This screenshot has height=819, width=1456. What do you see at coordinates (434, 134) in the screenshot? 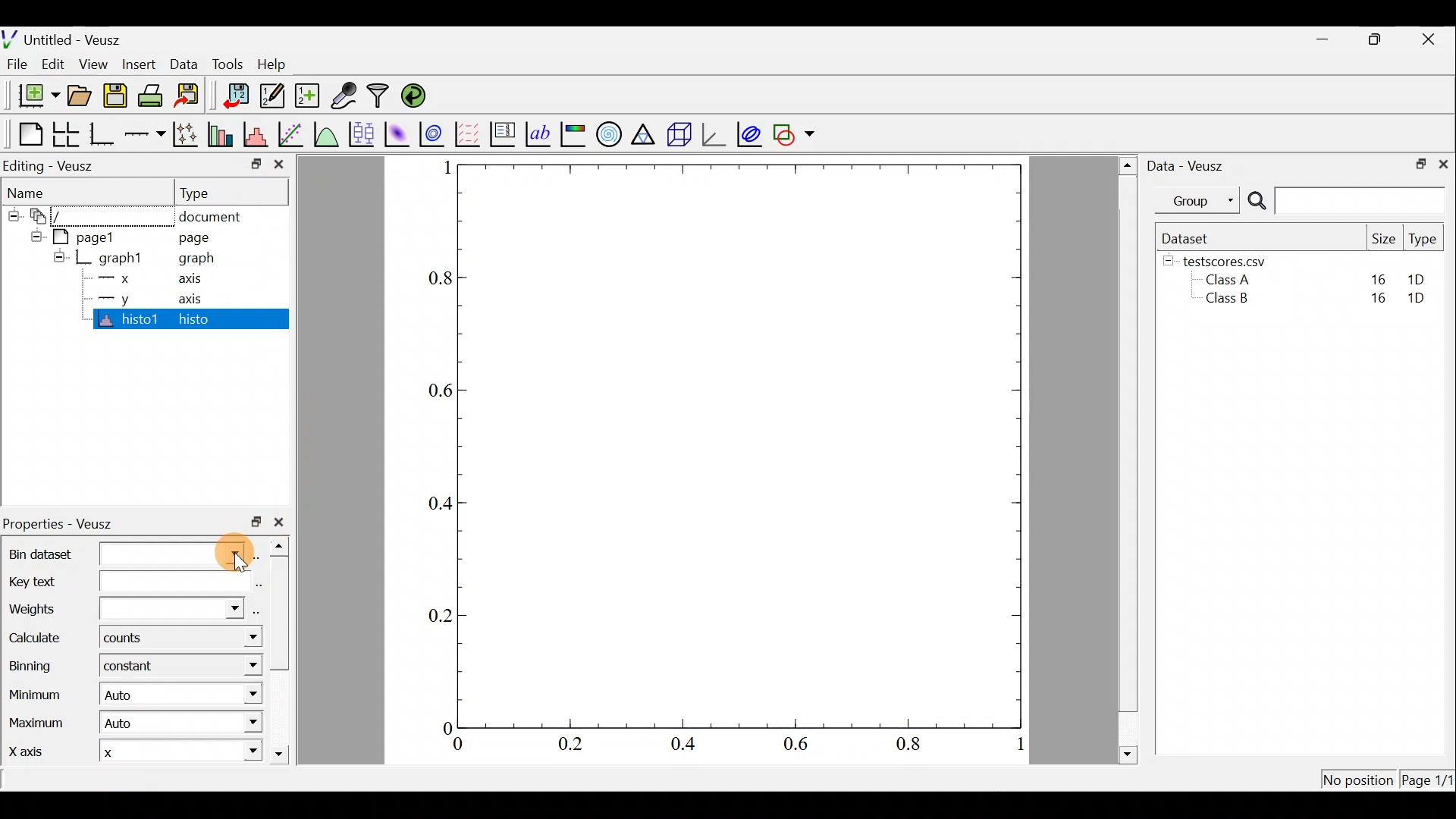
I see `Plot a 2d dataset as contours` at bounding box center [434, 134].